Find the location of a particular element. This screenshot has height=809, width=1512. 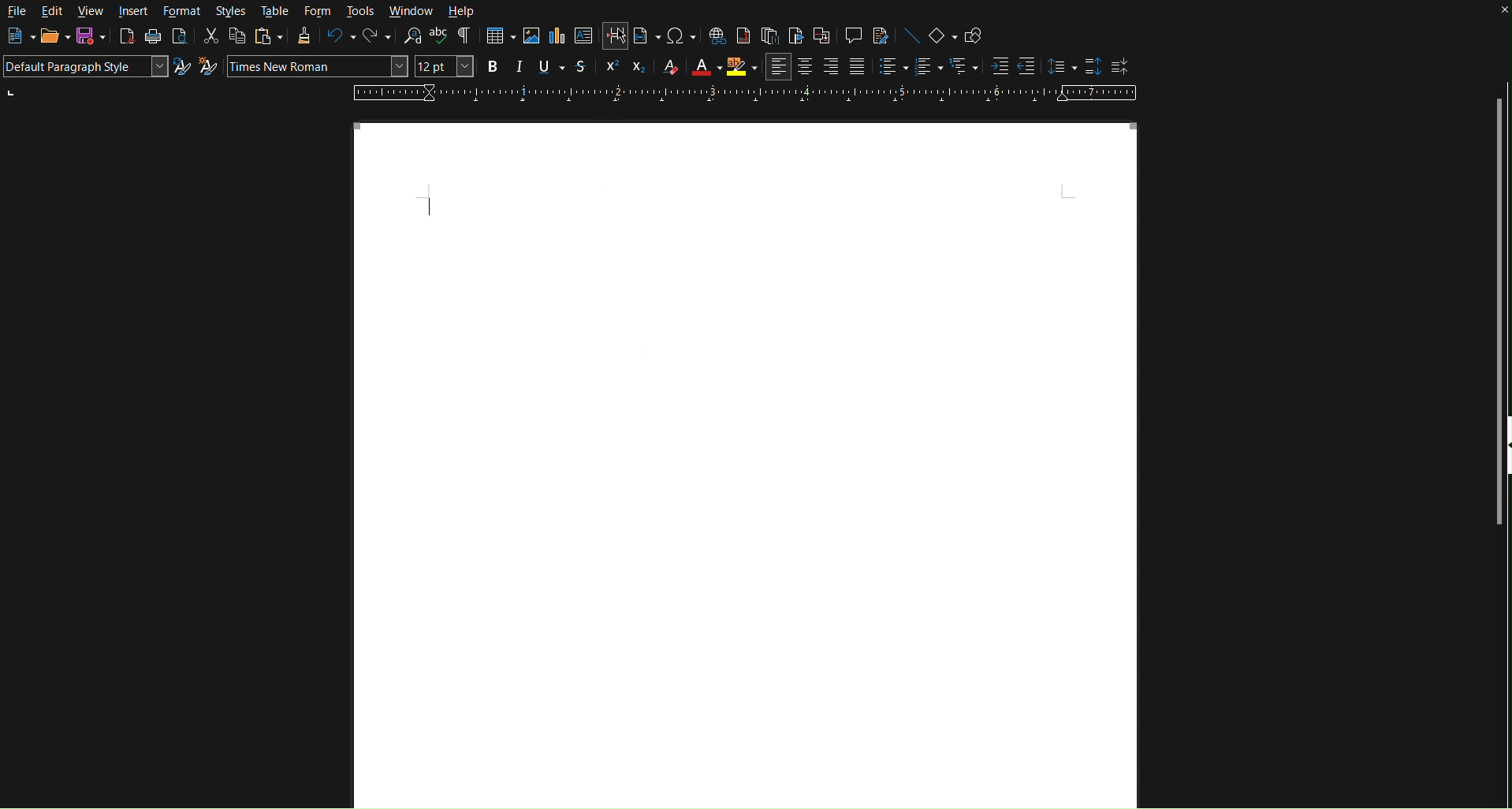

Highlight Color is located at coordinates (742, 67).